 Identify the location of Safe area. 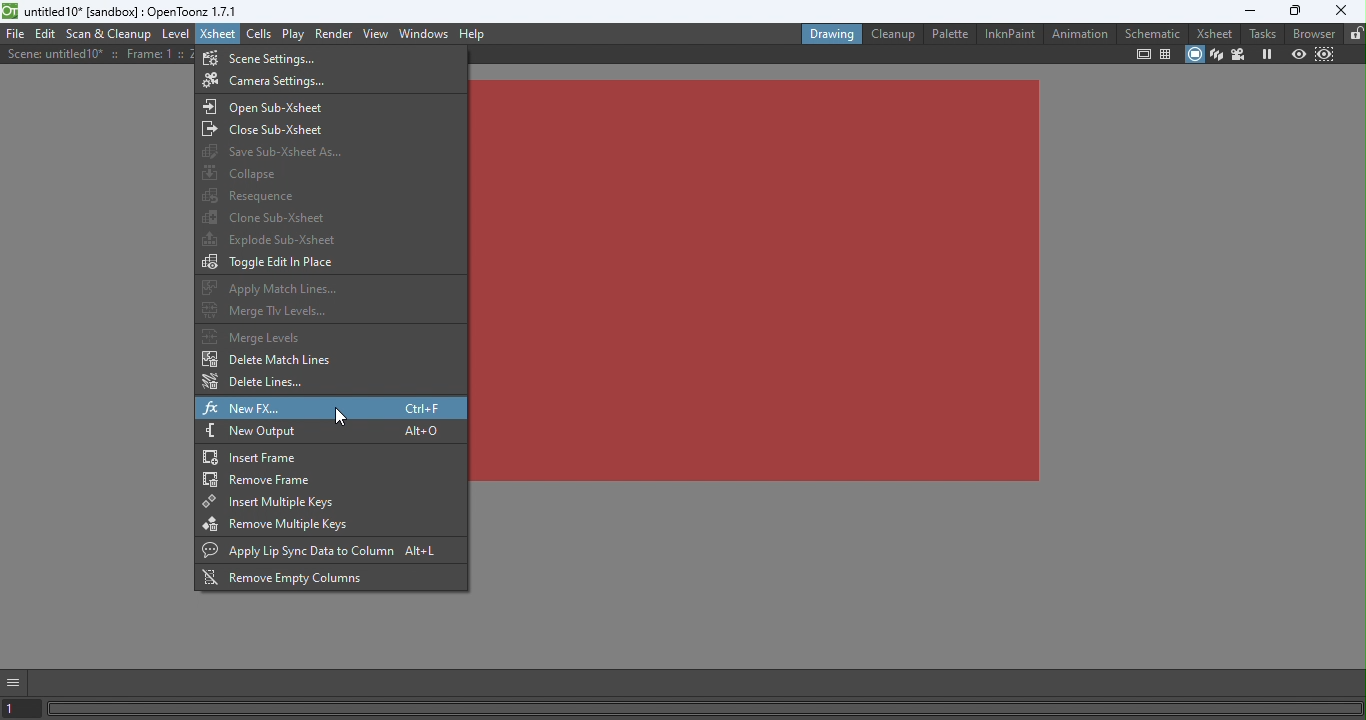
(1143, 54).